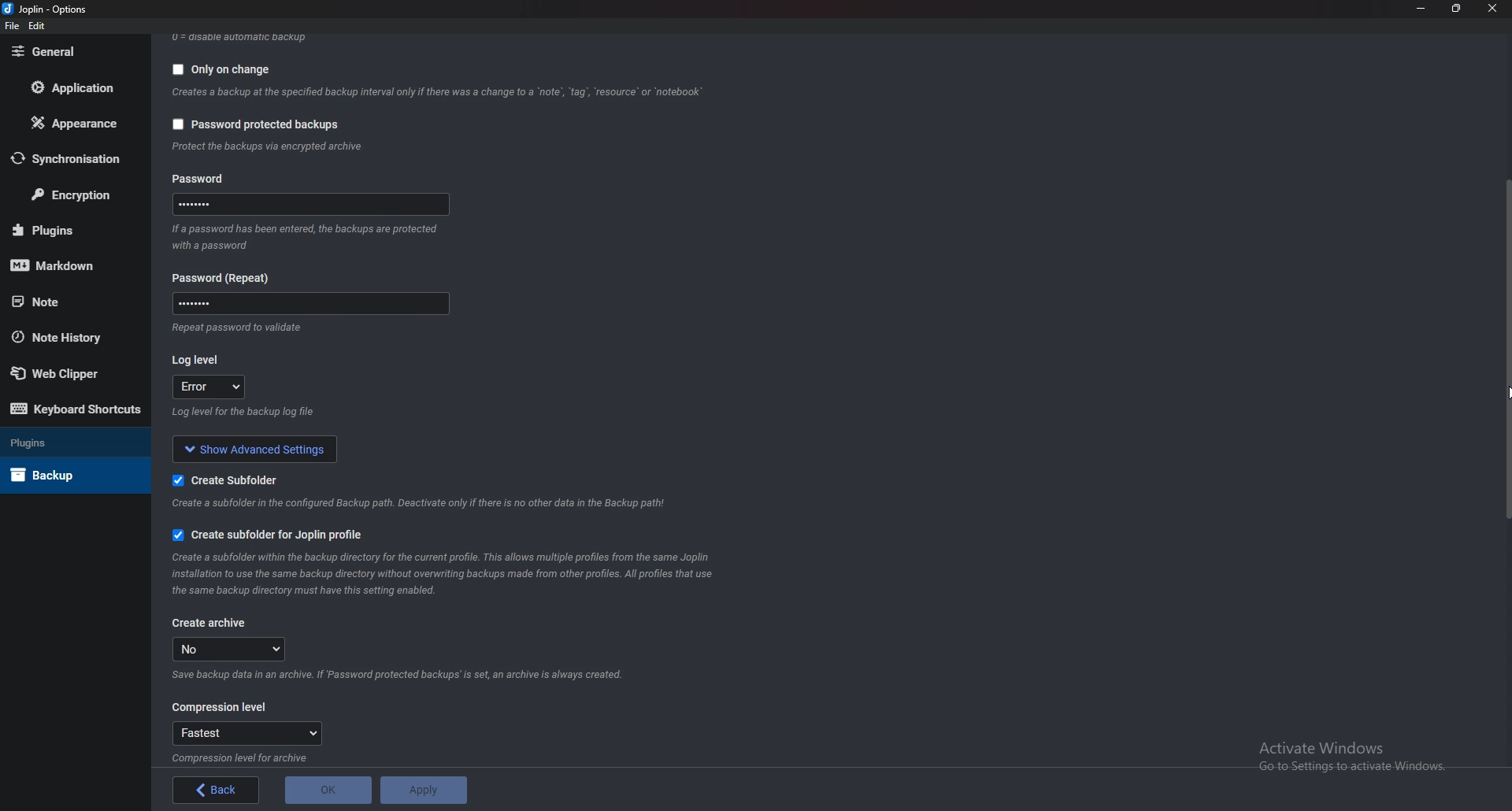 The width and height of the screenshot is (1512, 811). I want to click on Password, so click(309, 206).